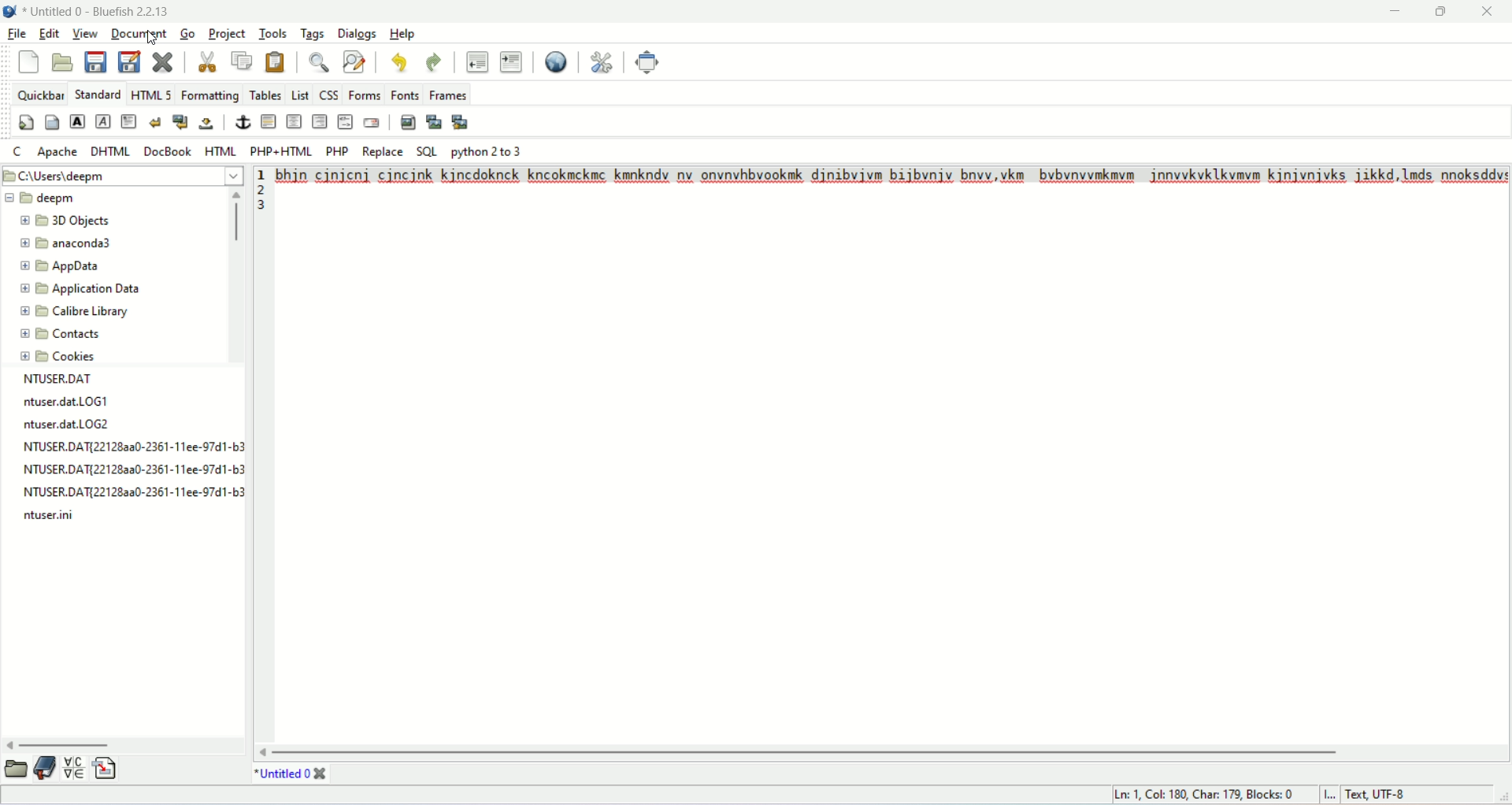  I want to click on copy, so click(240, 62).